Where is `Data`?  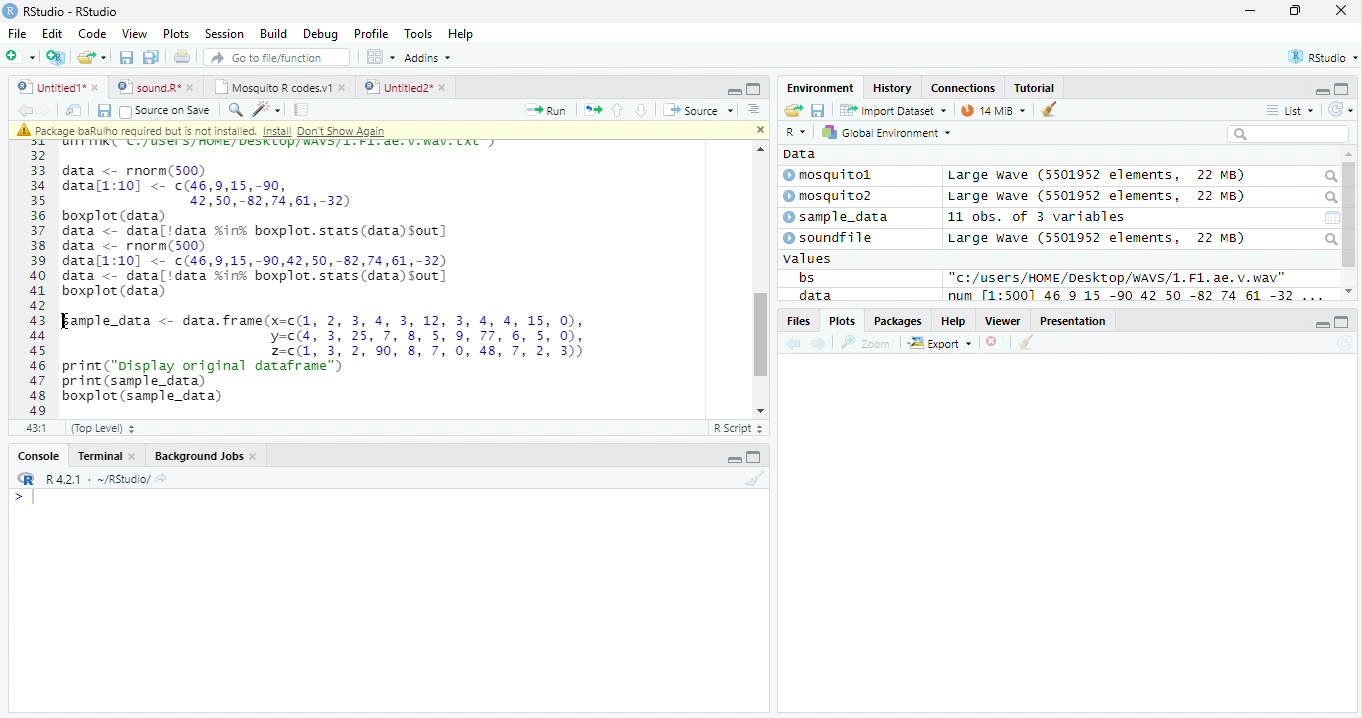
Data is located at coordinates (800, 154).